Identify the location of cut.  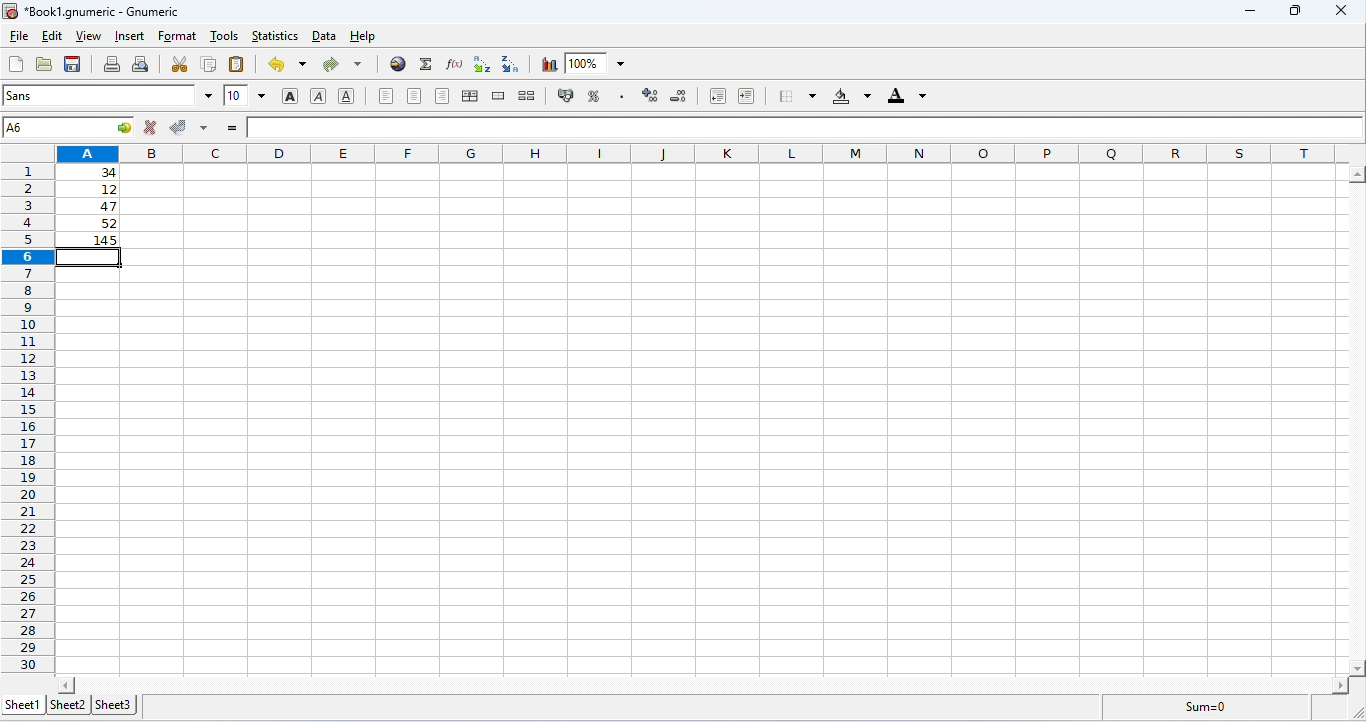
(180, 64).